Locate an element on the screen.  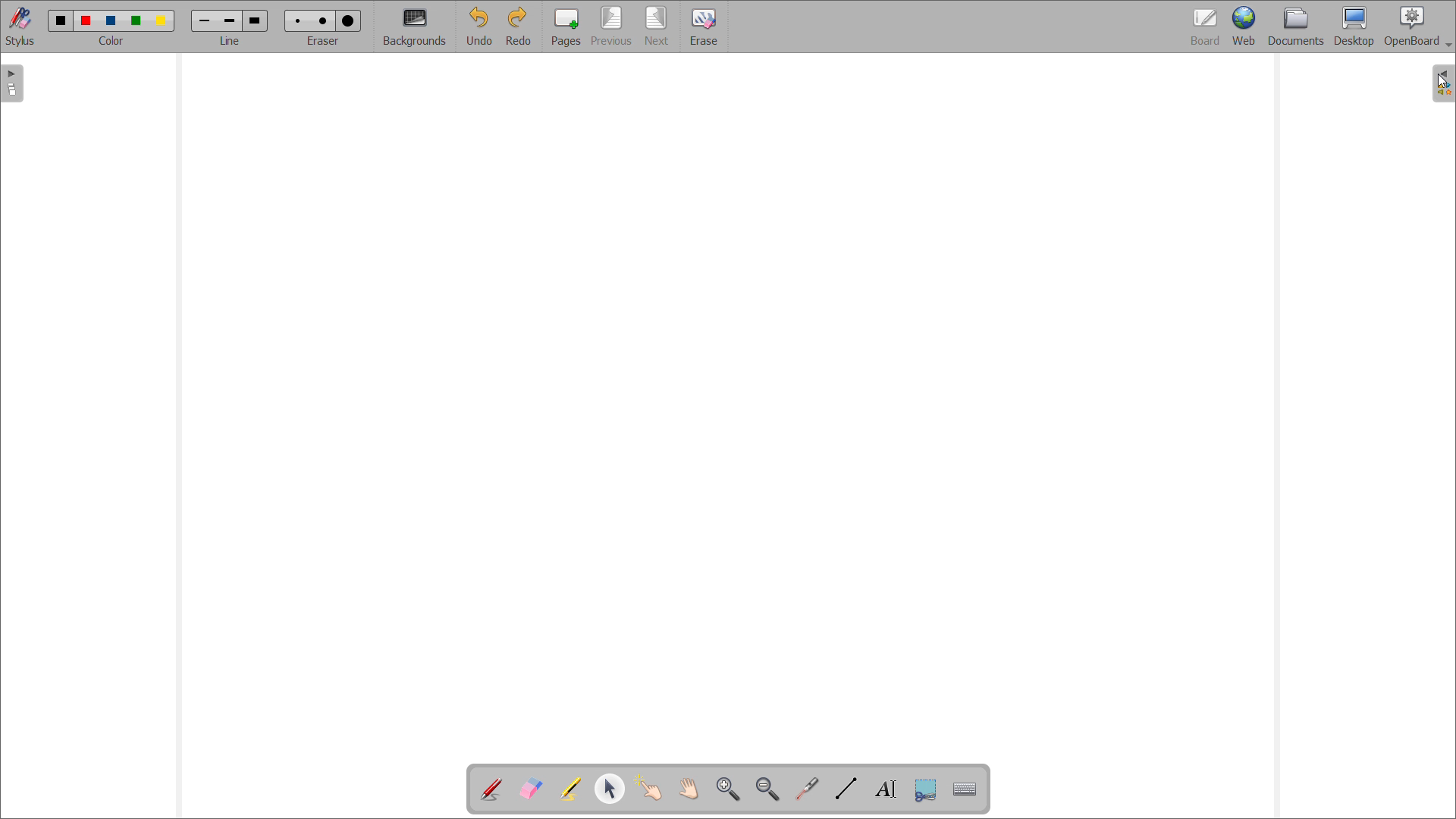
highlight is located at coordinates (571, 790).